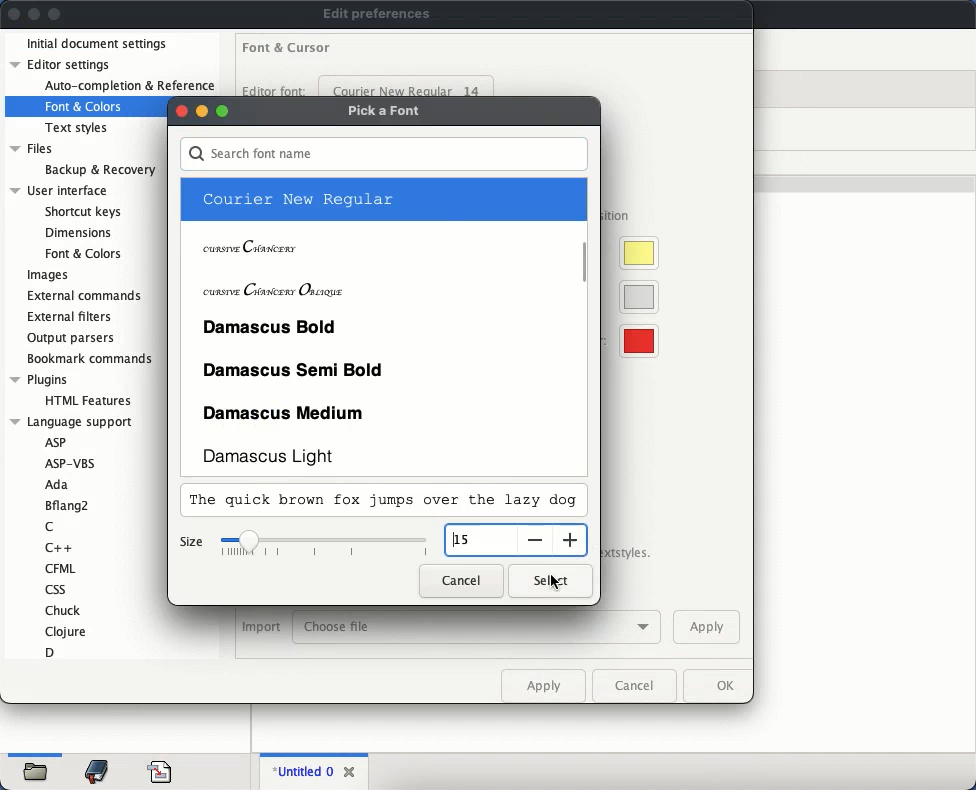  What do you see at coordinates (64, 64) in the screenshot?
I see `editor settings` at bounding box center [64, 64].